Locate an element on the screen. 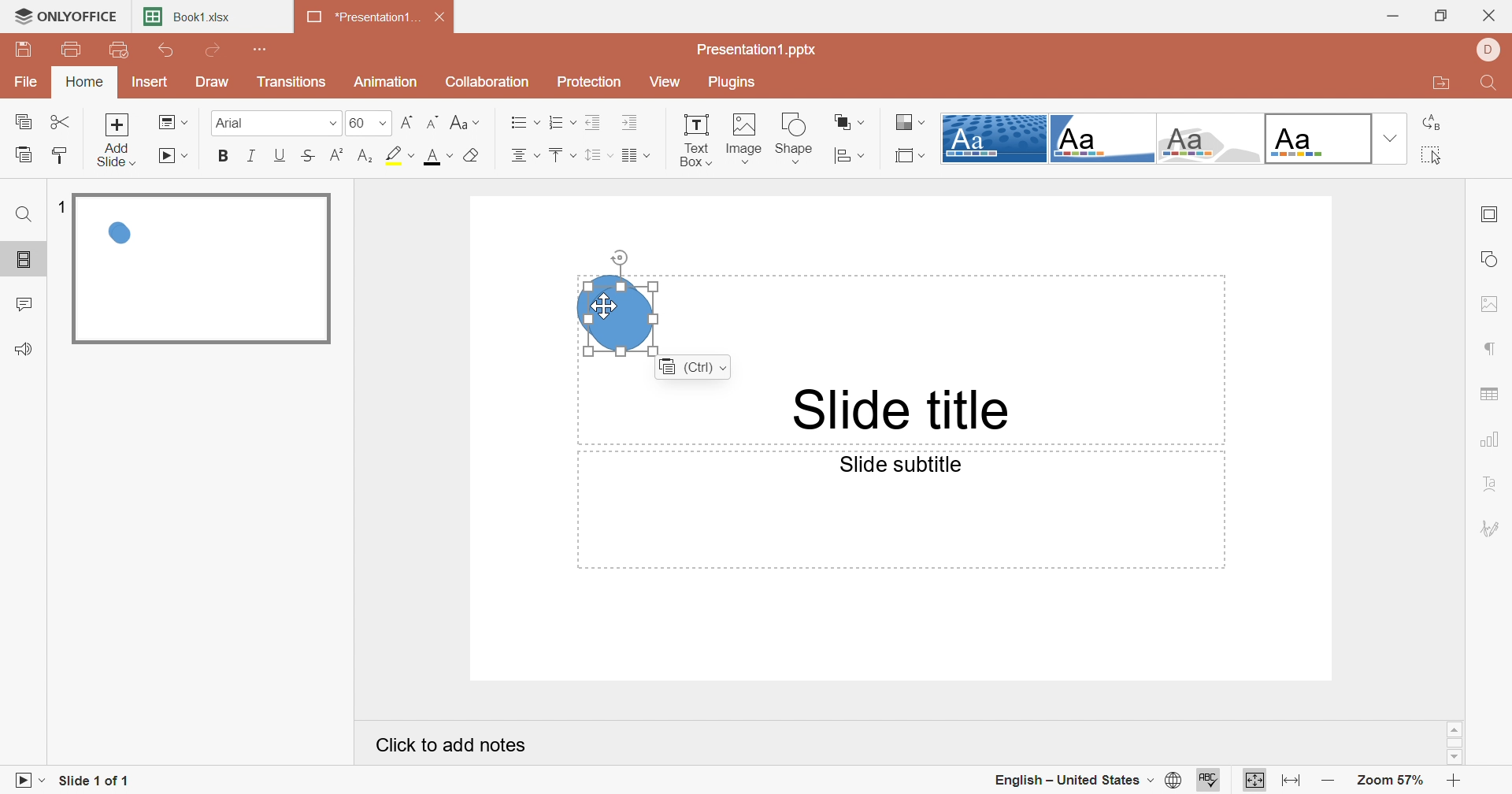 The height and width of the screenshot is (794, 1512). Text box is located at coordinates (695, 139).